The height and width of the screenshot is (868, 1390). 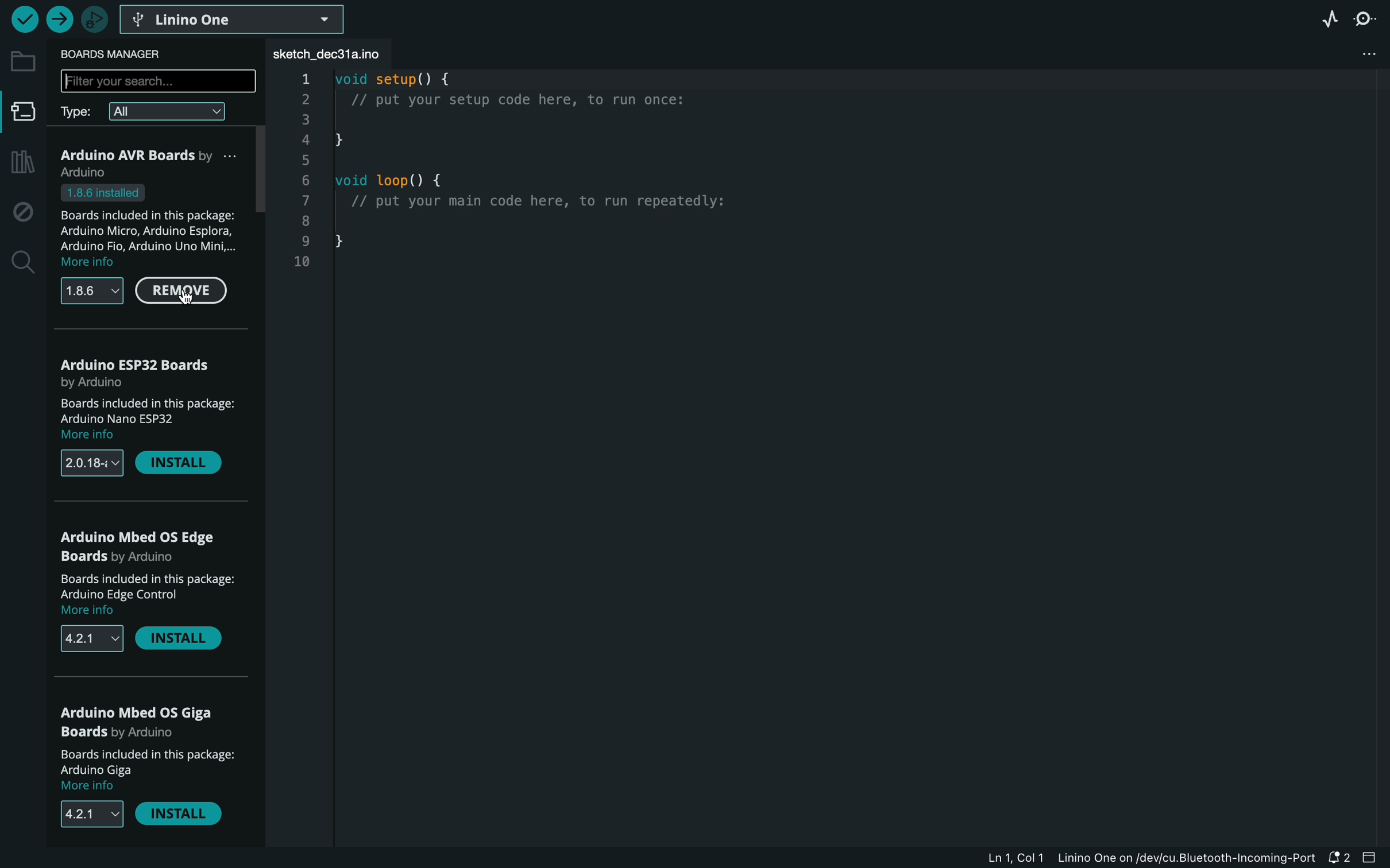 What do you see at coordinates (1142, 859) in the screenshot?
I see `file information` at bounding box center [1142, 859].